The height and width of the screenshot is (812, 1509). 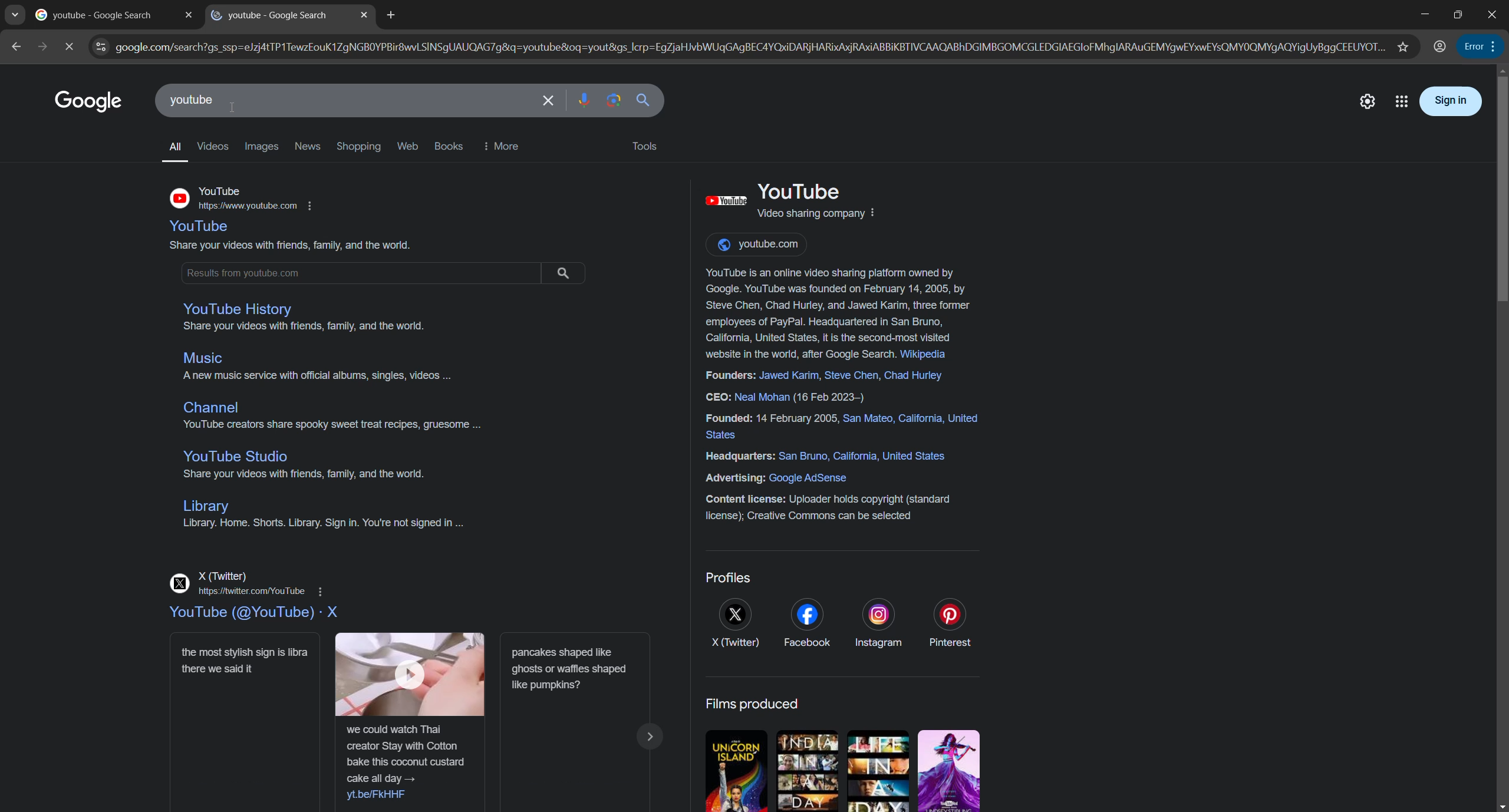 What do you see at coordinates (172, 145) in the screenshot?
I see `all` at bounding box center [172, 145].